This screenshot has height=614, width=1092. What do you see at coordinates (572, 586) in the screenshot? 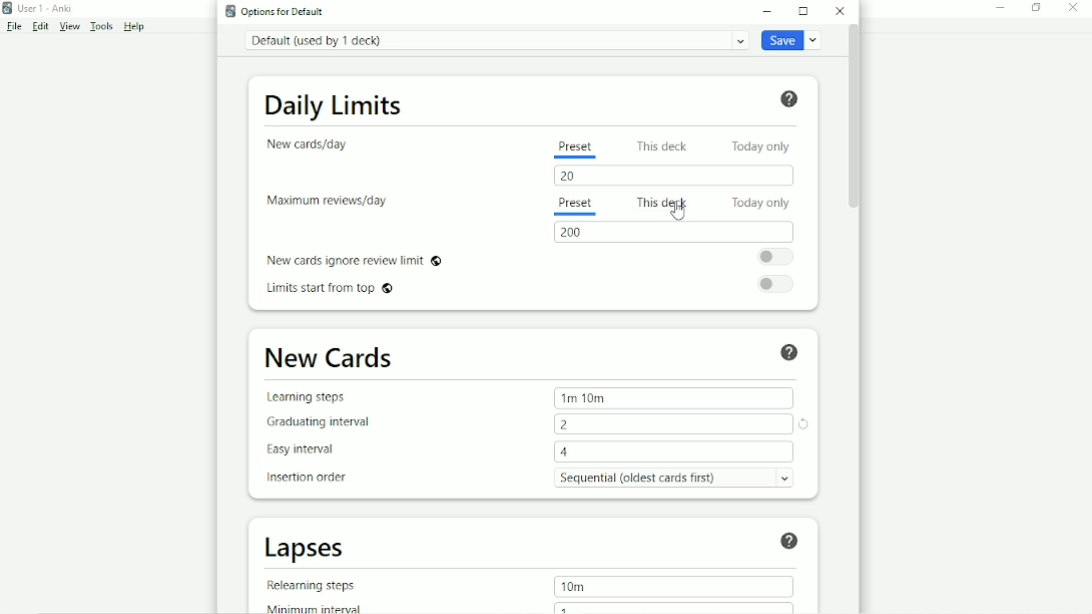
I see `10m` at bounding box center [572, 586].